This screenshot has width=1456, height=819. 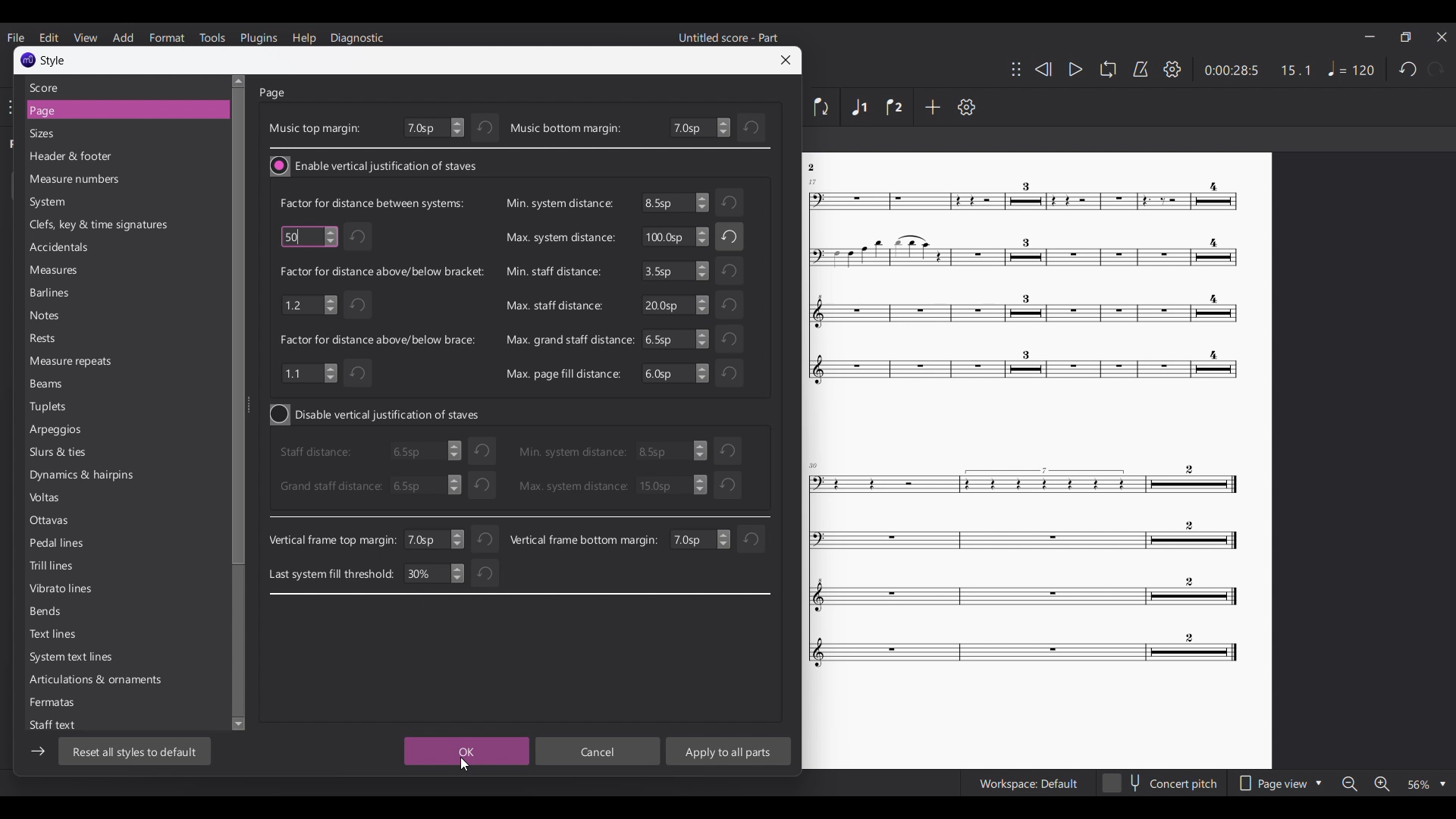 What do you see at coordinates (932, 106) in the screenshot?
I see `Add` at bounding box center [932, 106].